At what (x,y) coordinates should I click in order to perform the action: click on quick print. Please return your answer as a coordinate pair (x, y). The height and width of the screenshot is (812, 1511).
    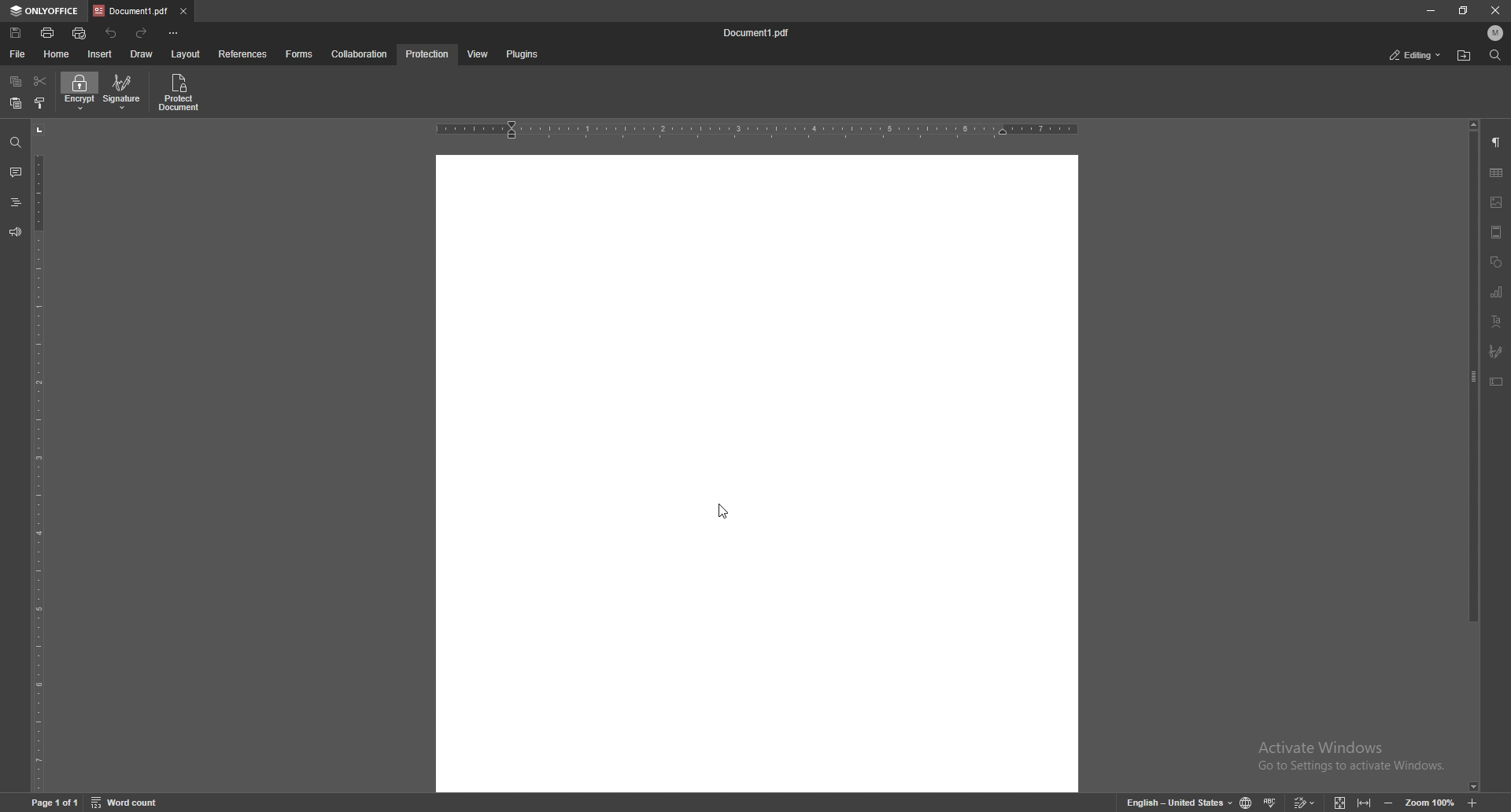
    Looking at the image, I should click on (81, 33).